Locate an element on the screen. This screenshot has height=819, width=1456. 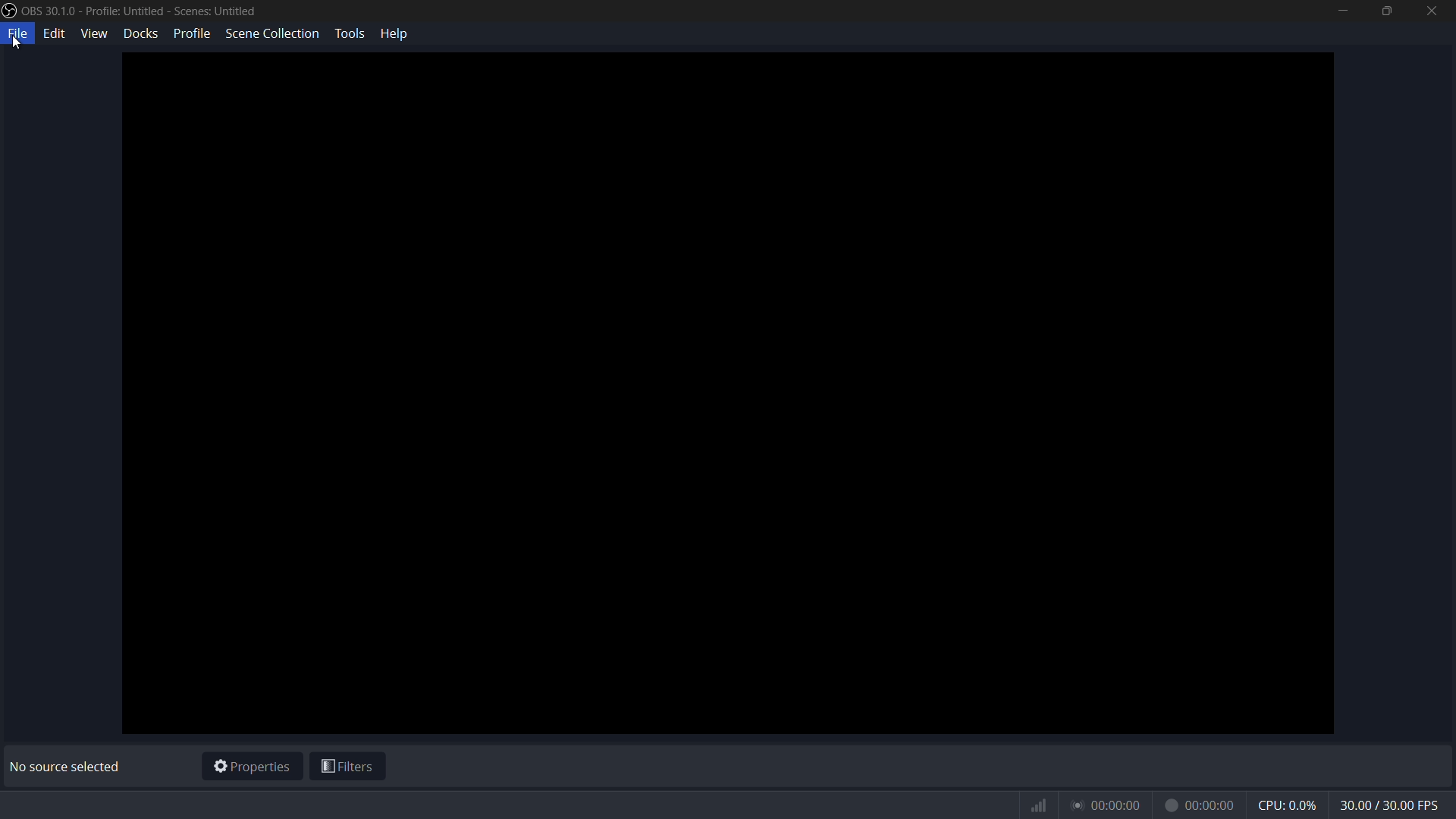
profile menu is located at coordinates (191, 33).